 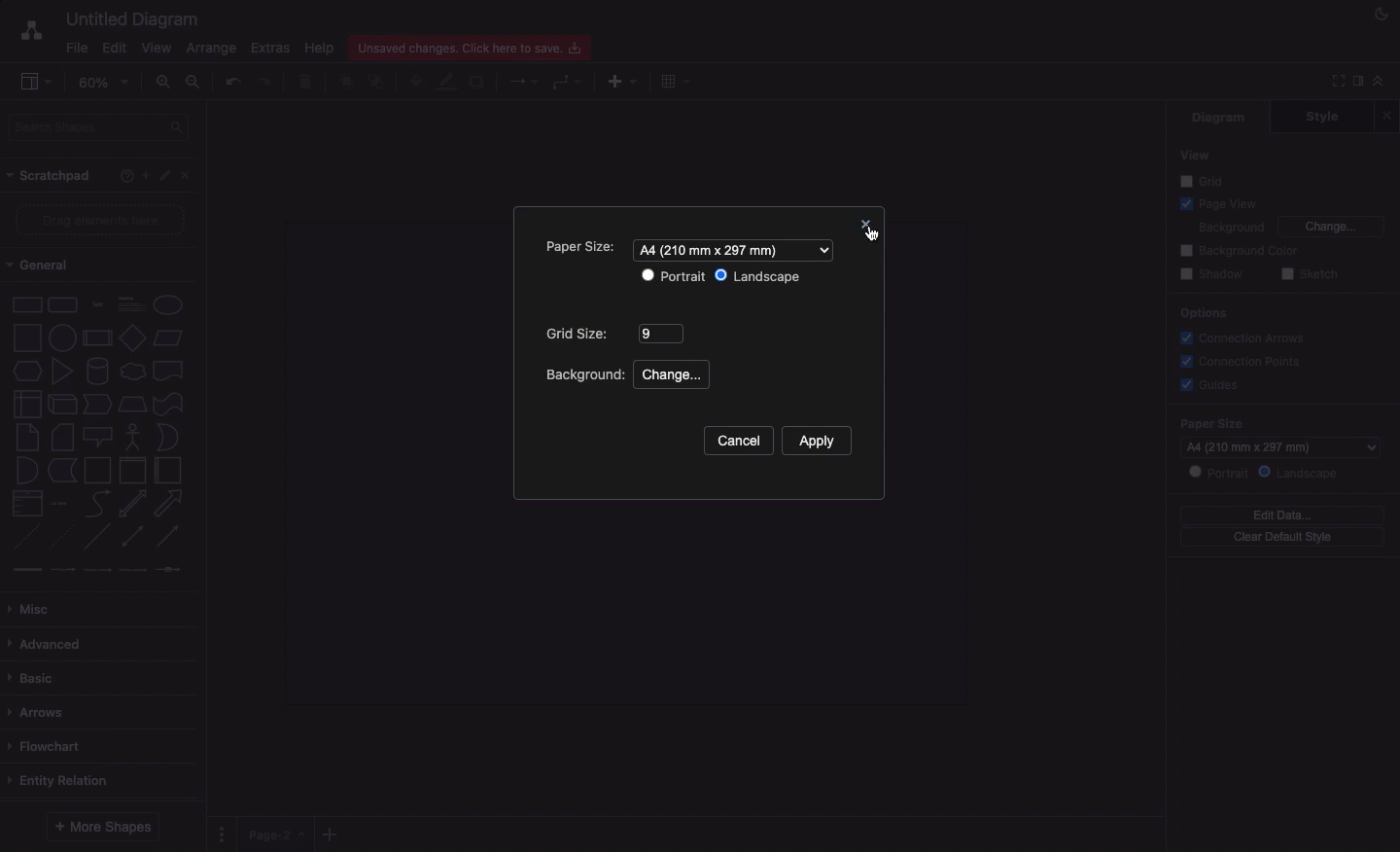 I want to click on Sidebar, so click(x=28, y=79).